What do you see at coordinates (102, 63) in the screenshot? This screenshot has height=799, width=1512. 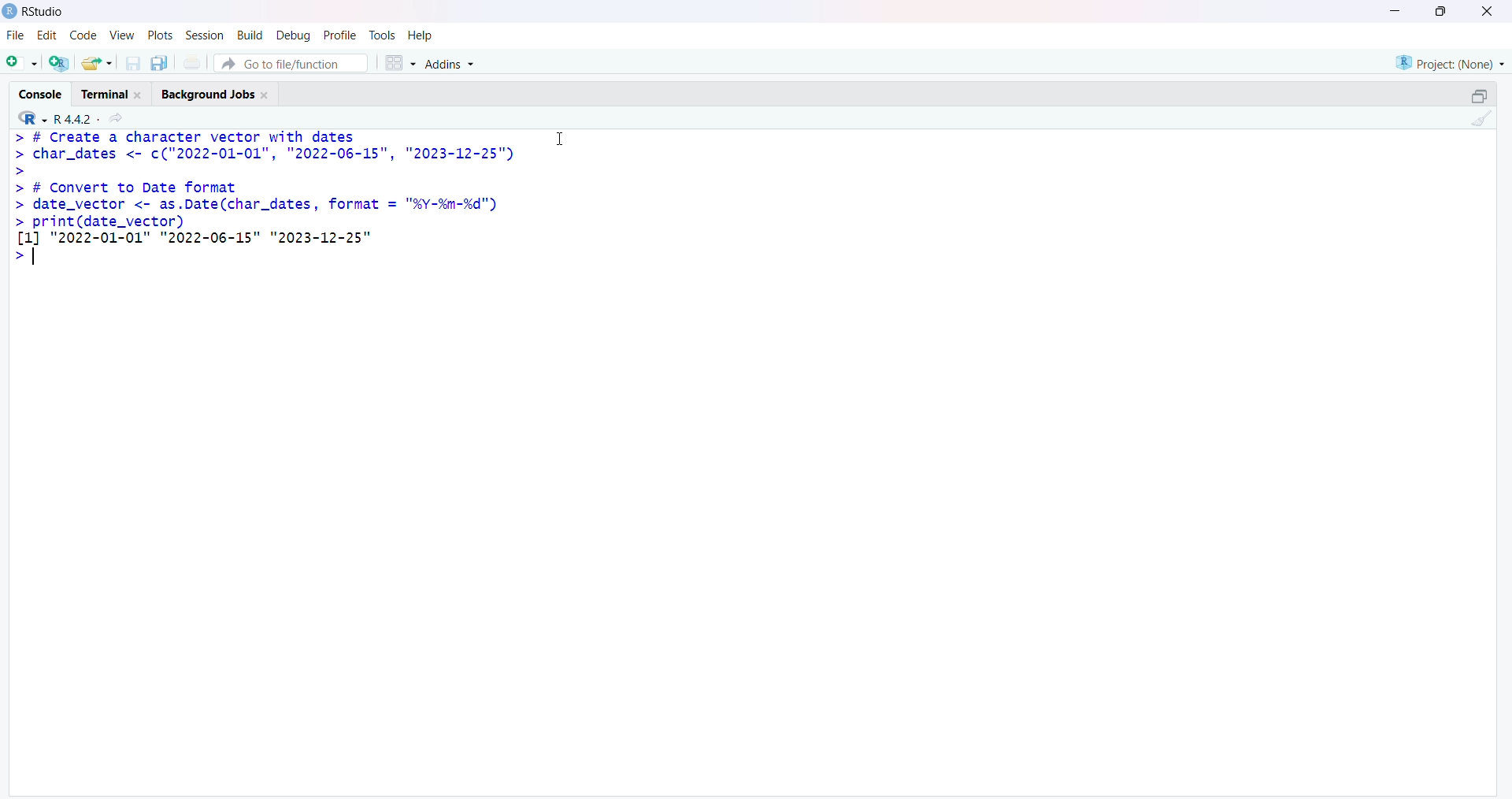 I see `Open an existing file (Ctrl + O)` at bounding box center [102, 63].